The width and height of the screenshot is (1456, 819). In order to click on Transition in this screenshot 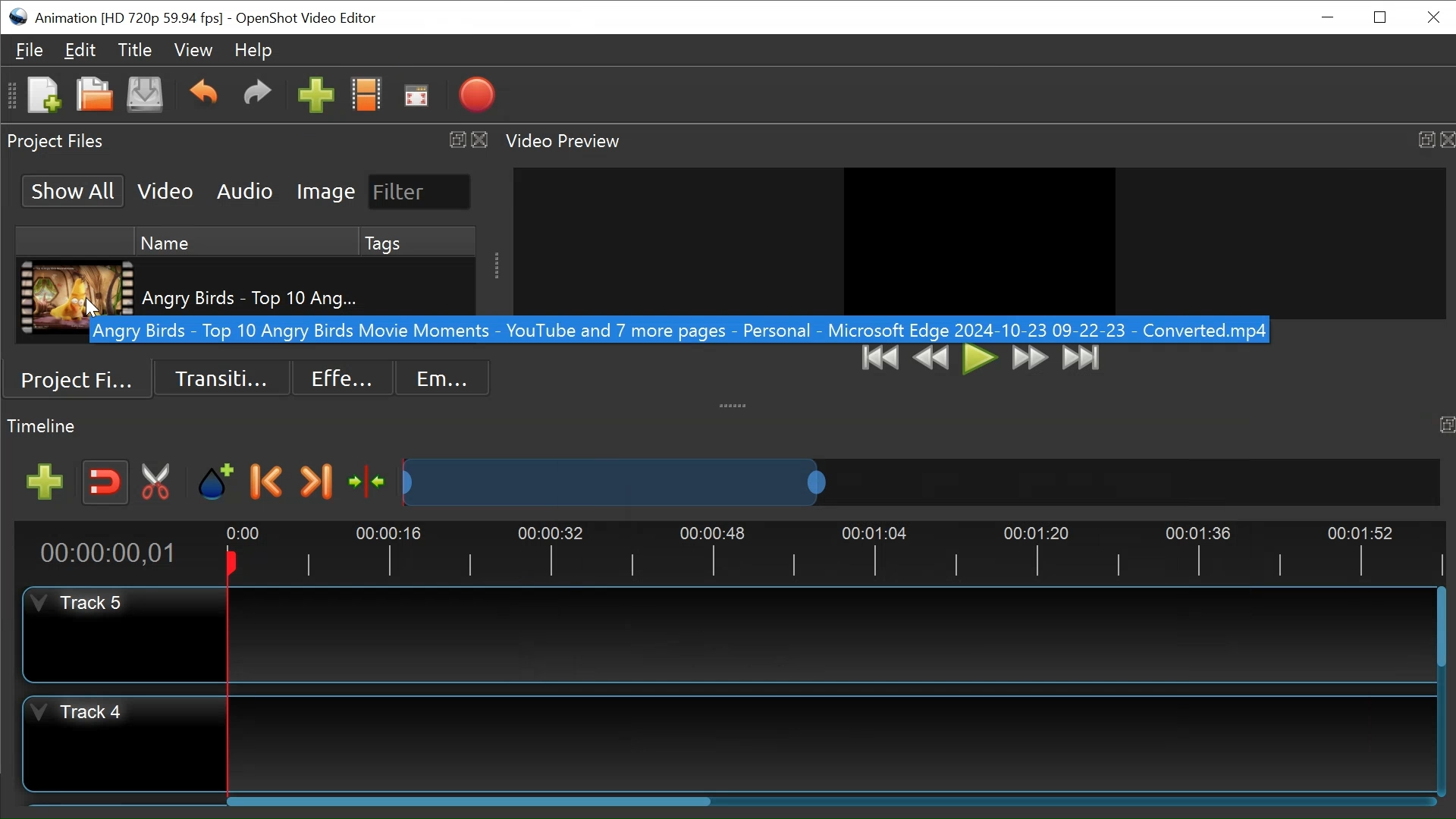, I will do `click(221, 378)`.